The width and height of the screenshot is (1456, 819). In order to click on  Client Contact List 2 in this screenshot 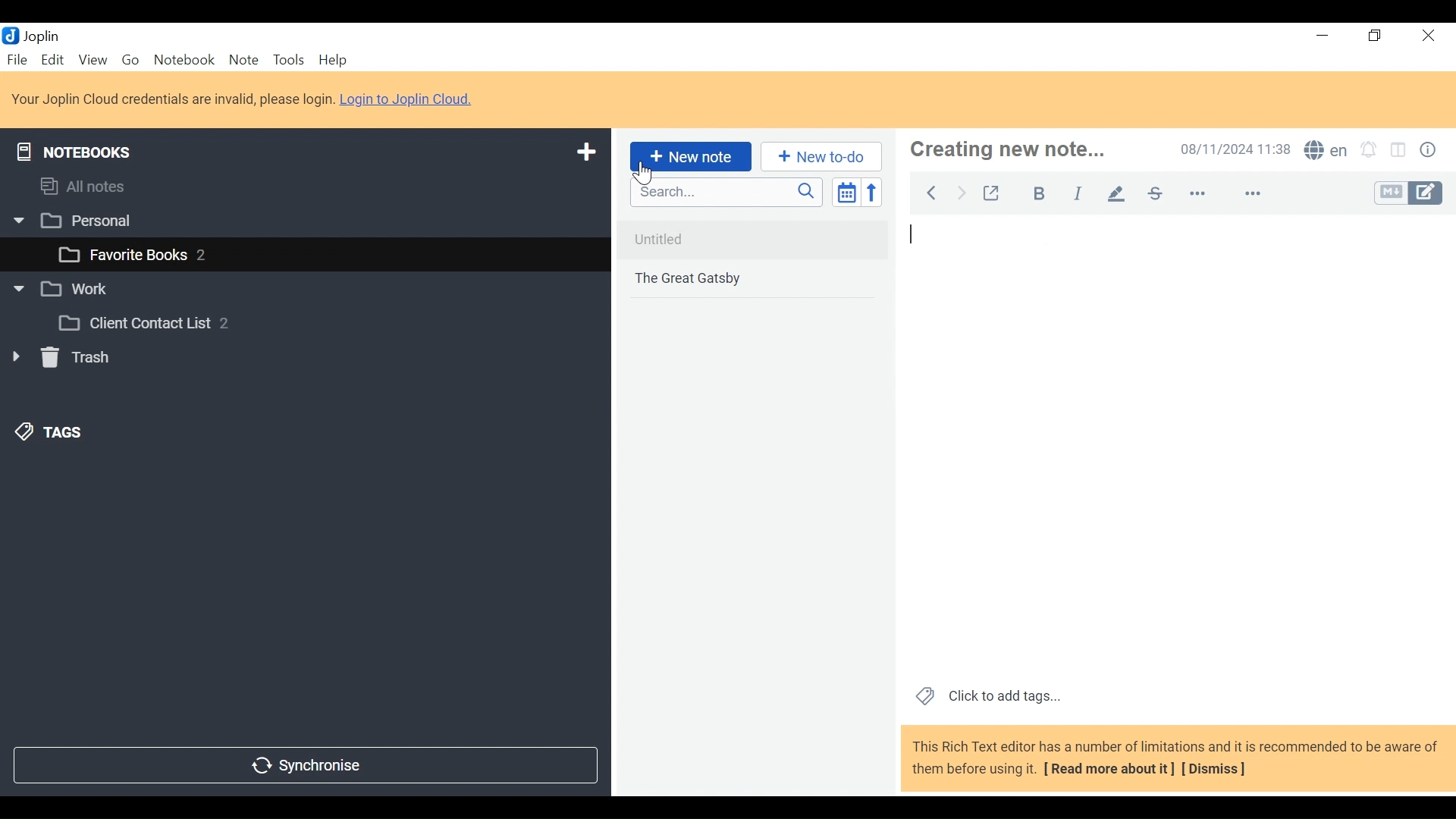, I will do `click(141, 323)`.